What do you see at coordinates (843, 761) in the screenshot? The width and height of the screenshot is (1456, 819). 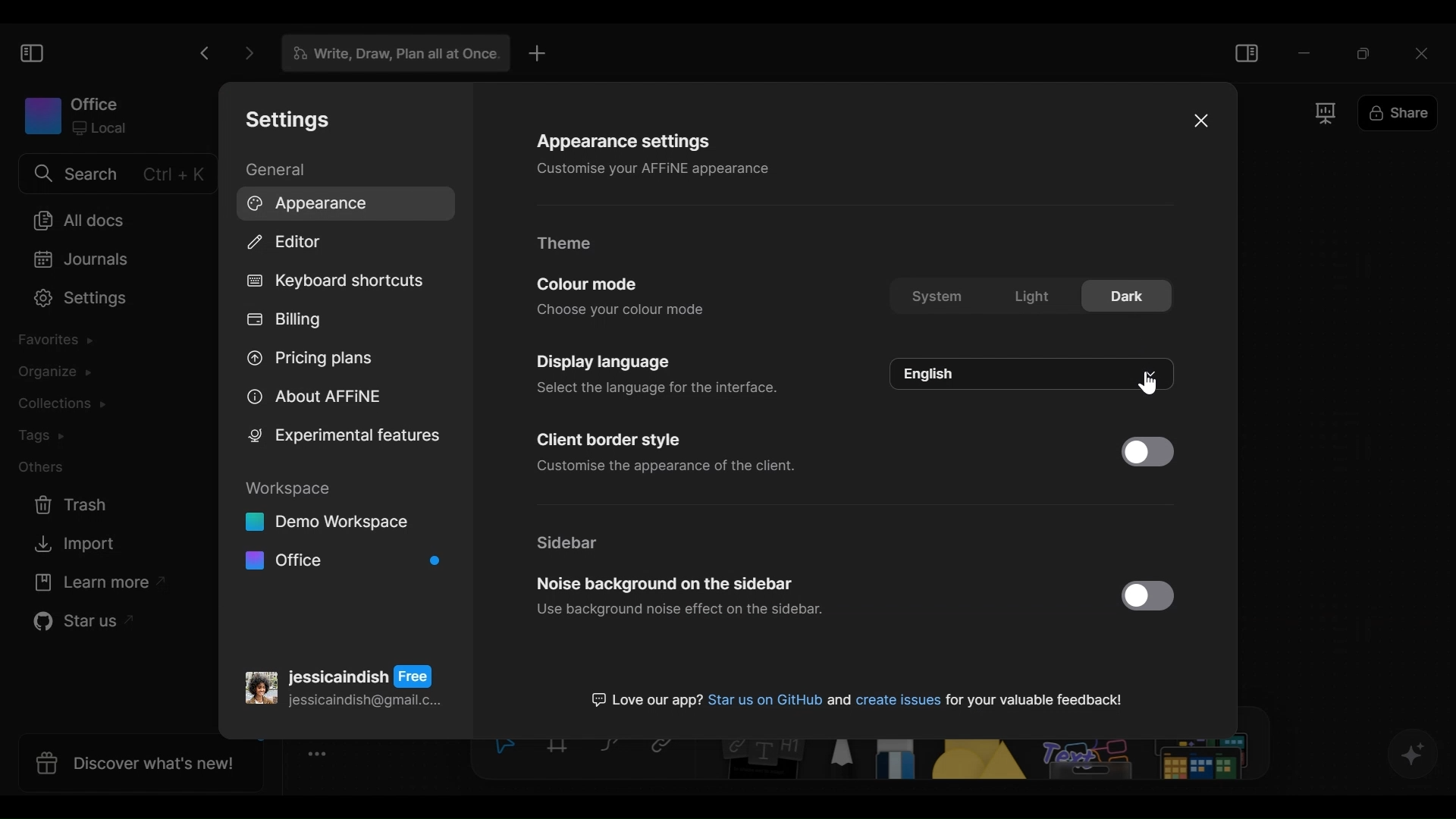 I see `Pen` at bounding box center [843, 761].